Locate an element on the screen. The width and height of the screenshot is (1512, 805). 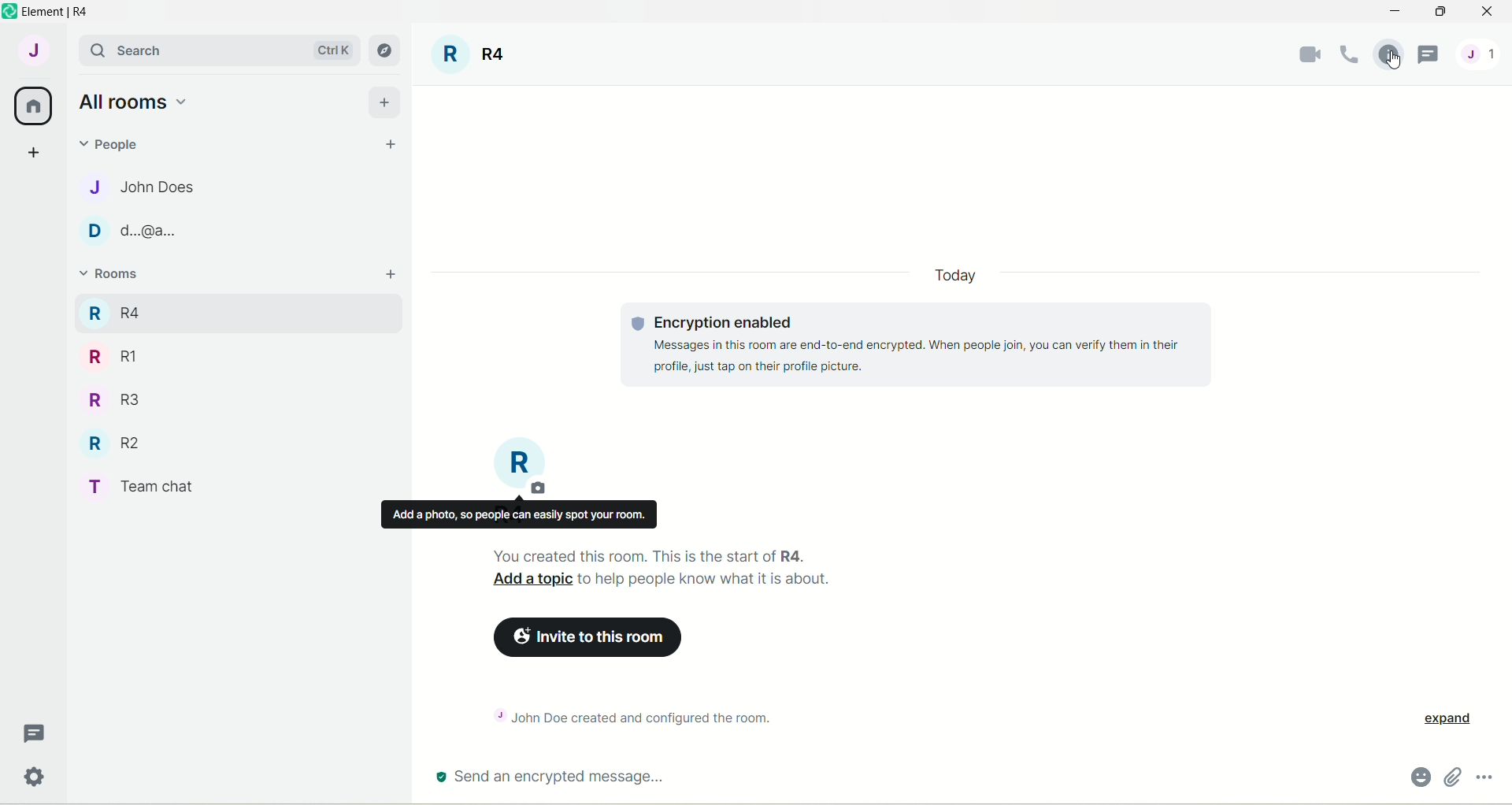
room info is located at coordinates (1385, 57).